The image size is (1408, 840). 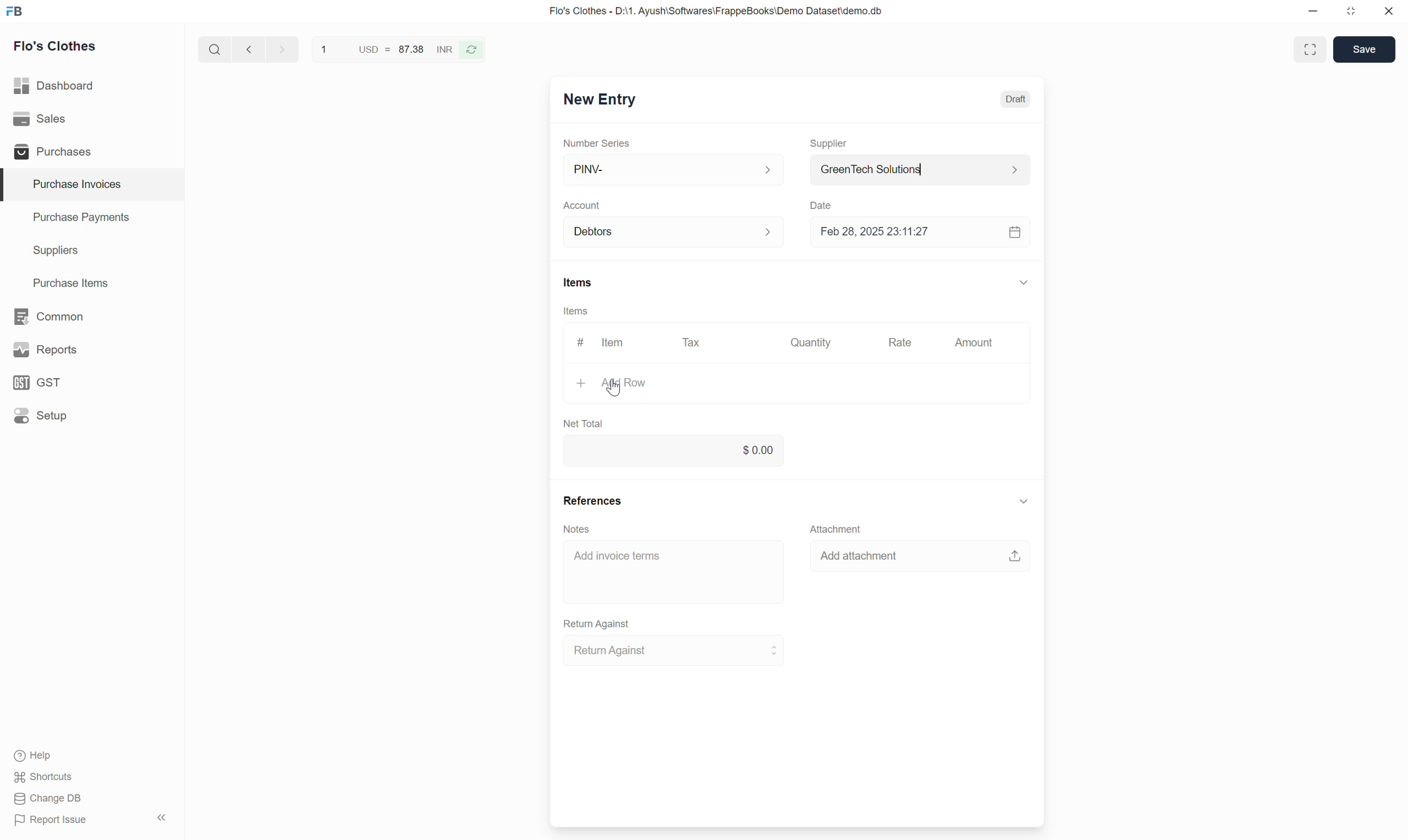 I want to click on Next, so click(x=283, y=49).